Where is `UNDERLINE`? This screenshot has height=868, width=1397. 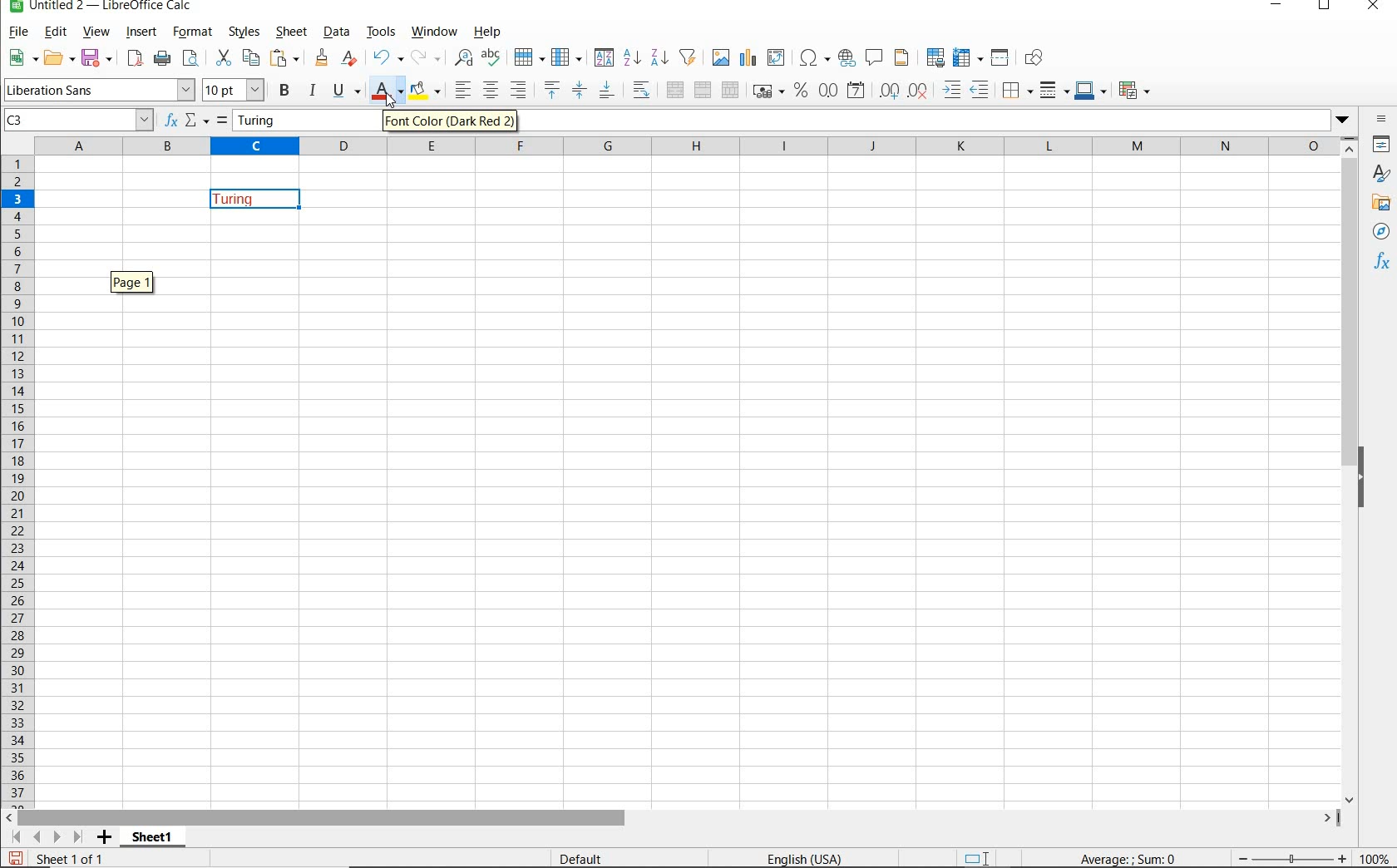
UNDERLINE is located at coordinates (348, 92).